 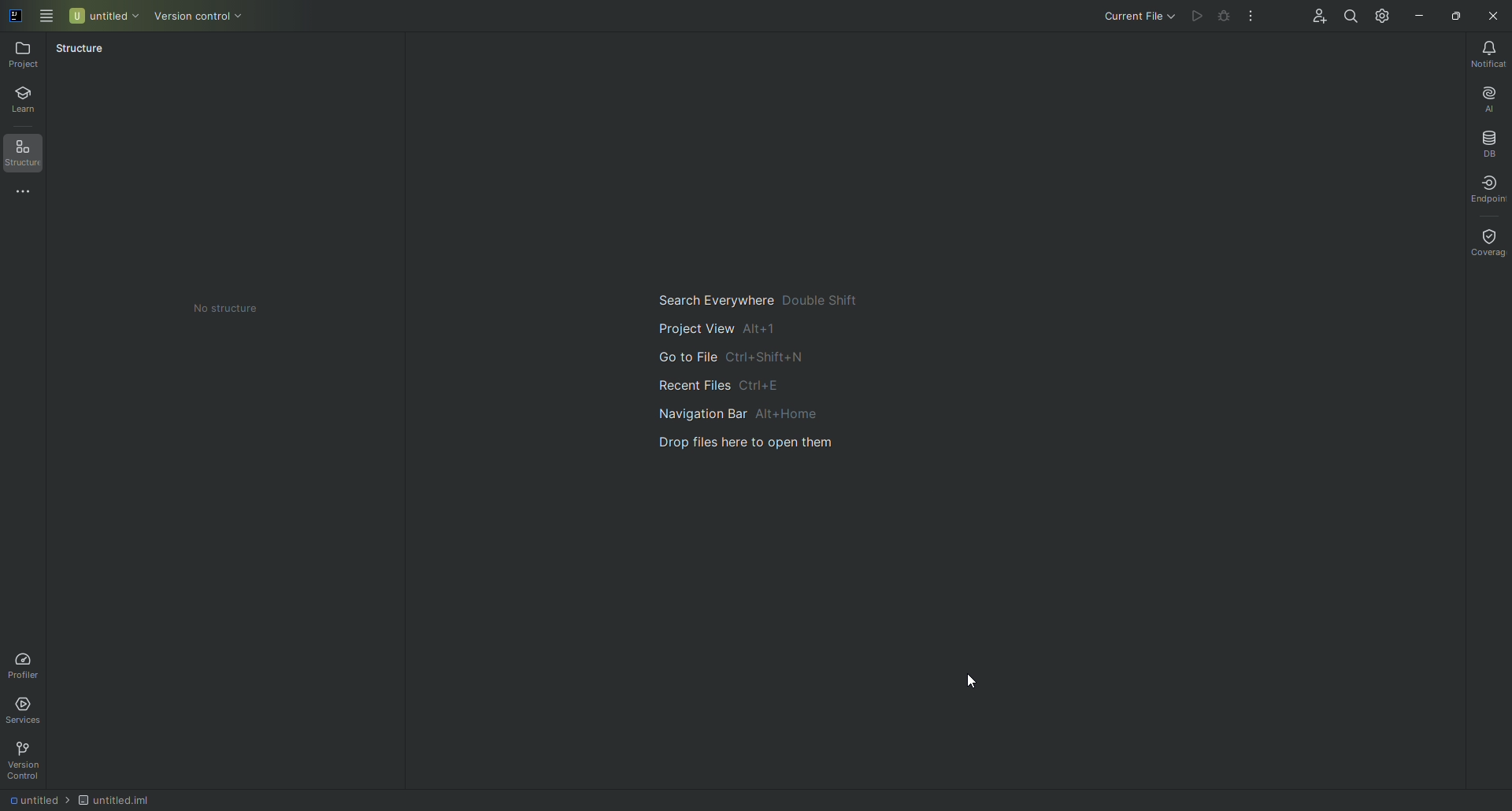 What do you see at coordinates (234, 311) in the screenshot?
I see `No structure` at bounding box center [234, 311].